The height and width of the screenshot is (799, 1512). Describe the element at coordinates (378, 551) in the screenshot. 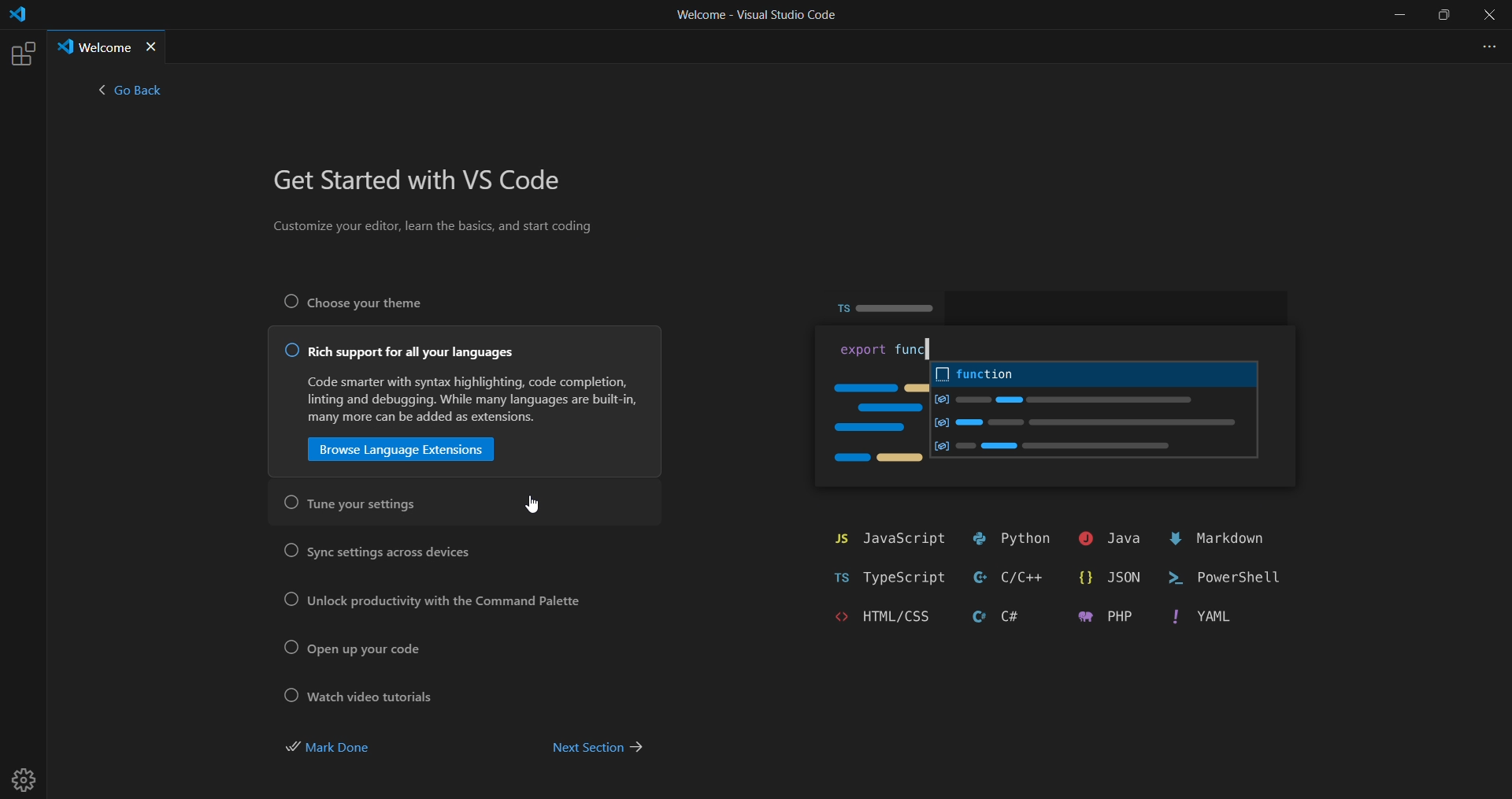

I see `sync setting across devices` at that location.